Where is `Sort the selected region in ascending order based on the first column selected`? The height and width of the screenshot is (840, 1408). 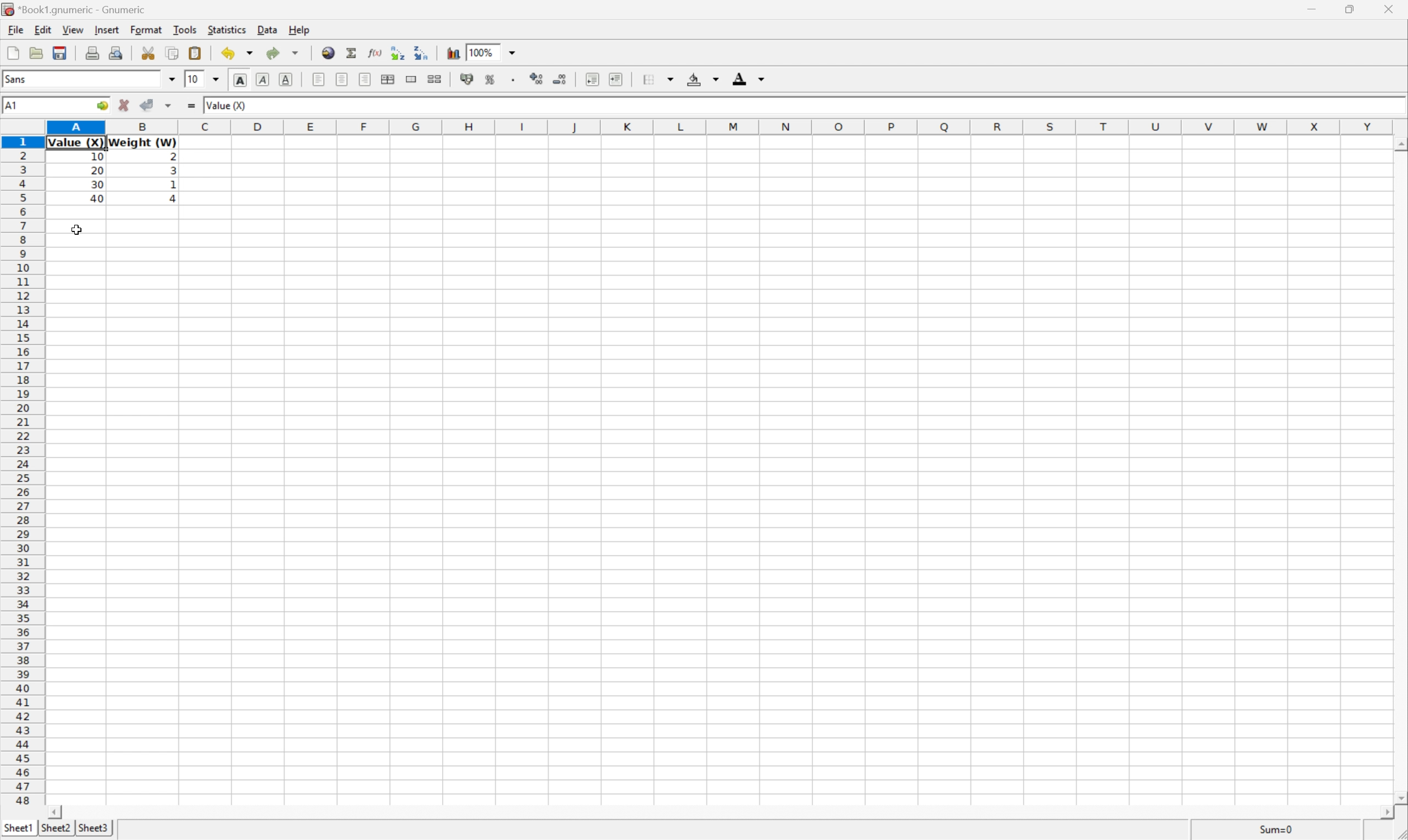 Sort the selected region in ascending order based on the first column selected is located at coordinates (397, 52).